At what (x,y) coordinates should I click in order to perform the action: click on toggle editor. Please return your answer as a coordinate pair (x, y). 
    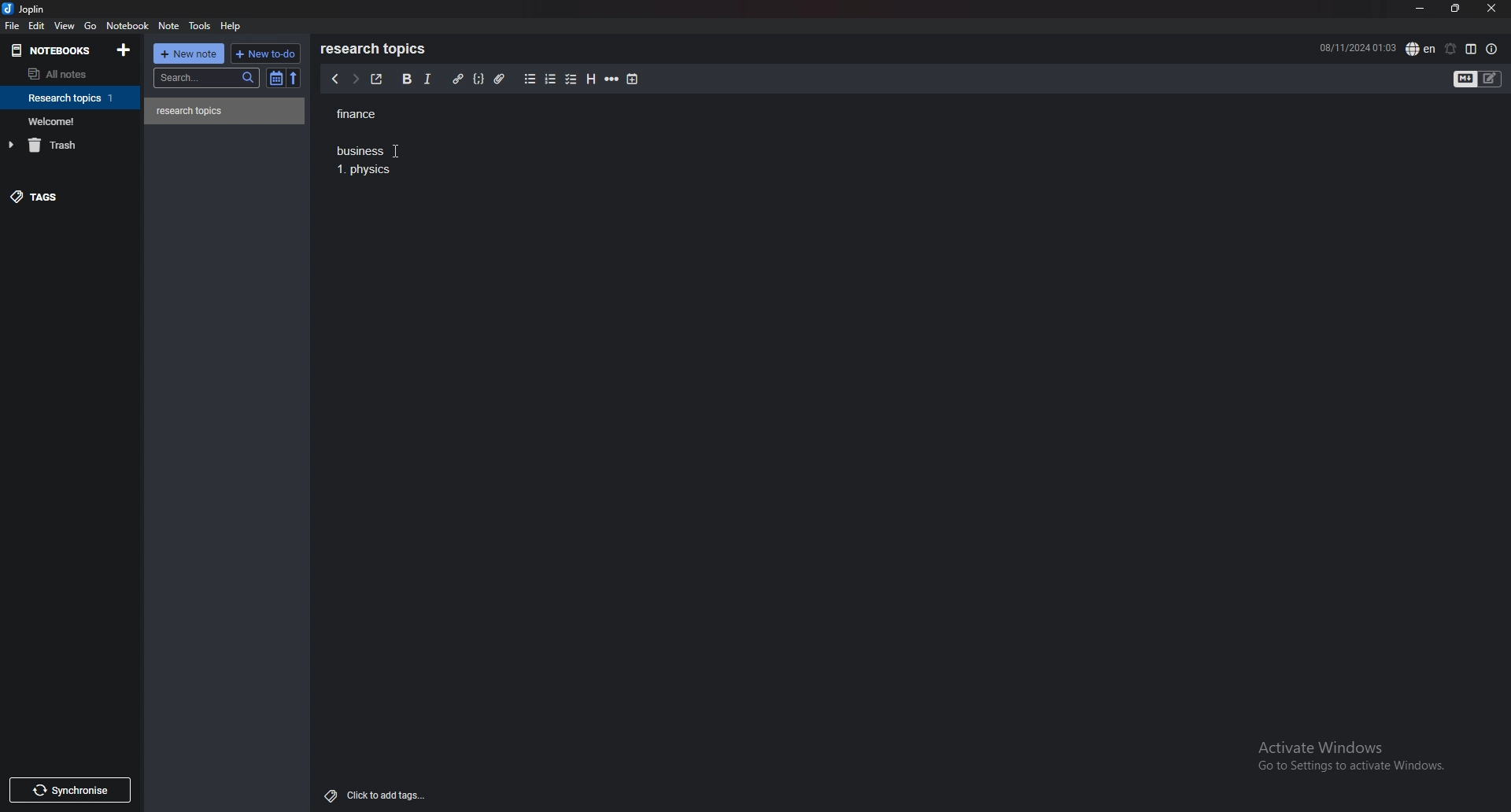
    Looking at the image, I should click on (1479, 79).